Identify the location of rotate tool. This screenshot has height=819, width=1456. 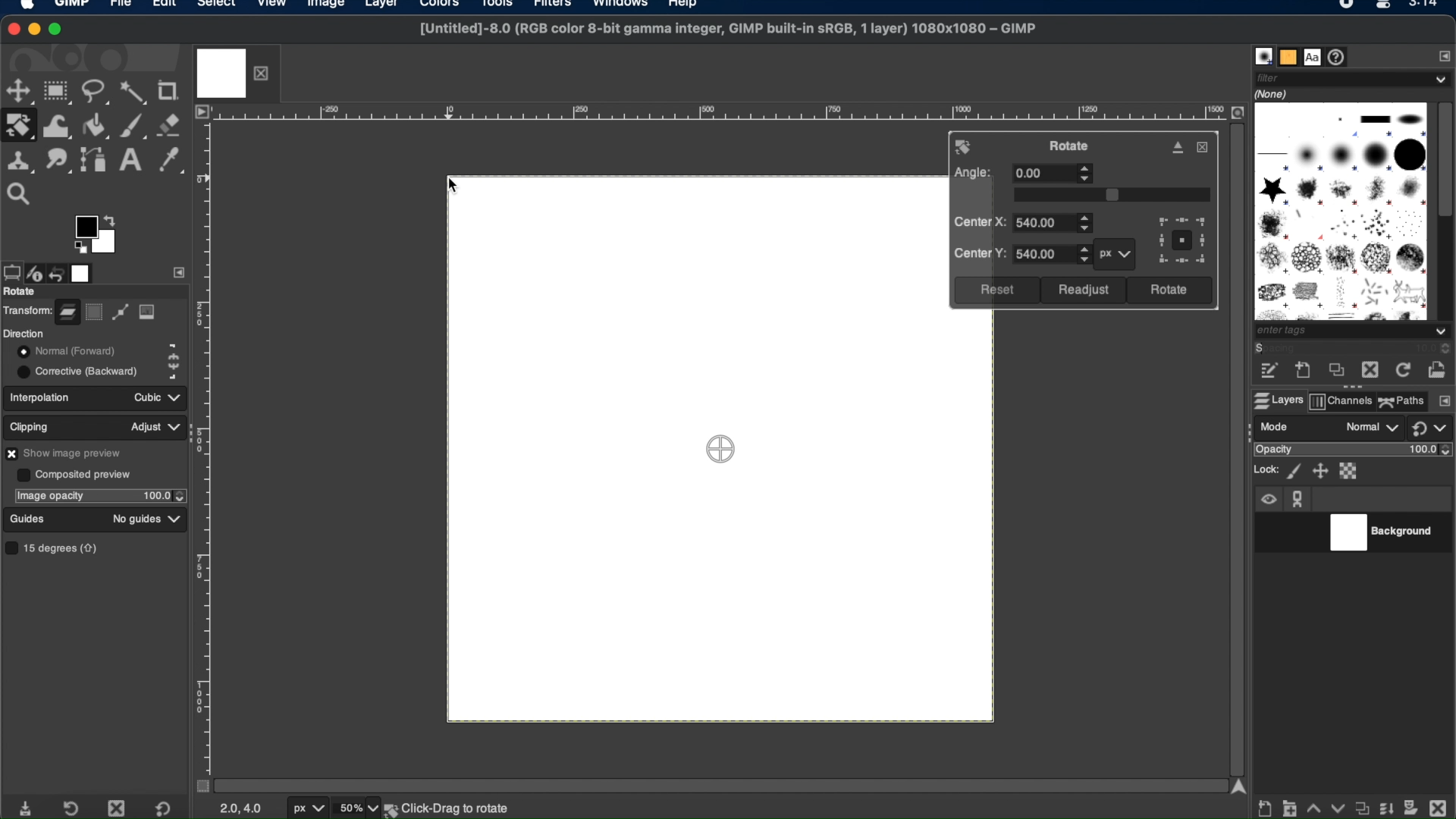
(20, 125).